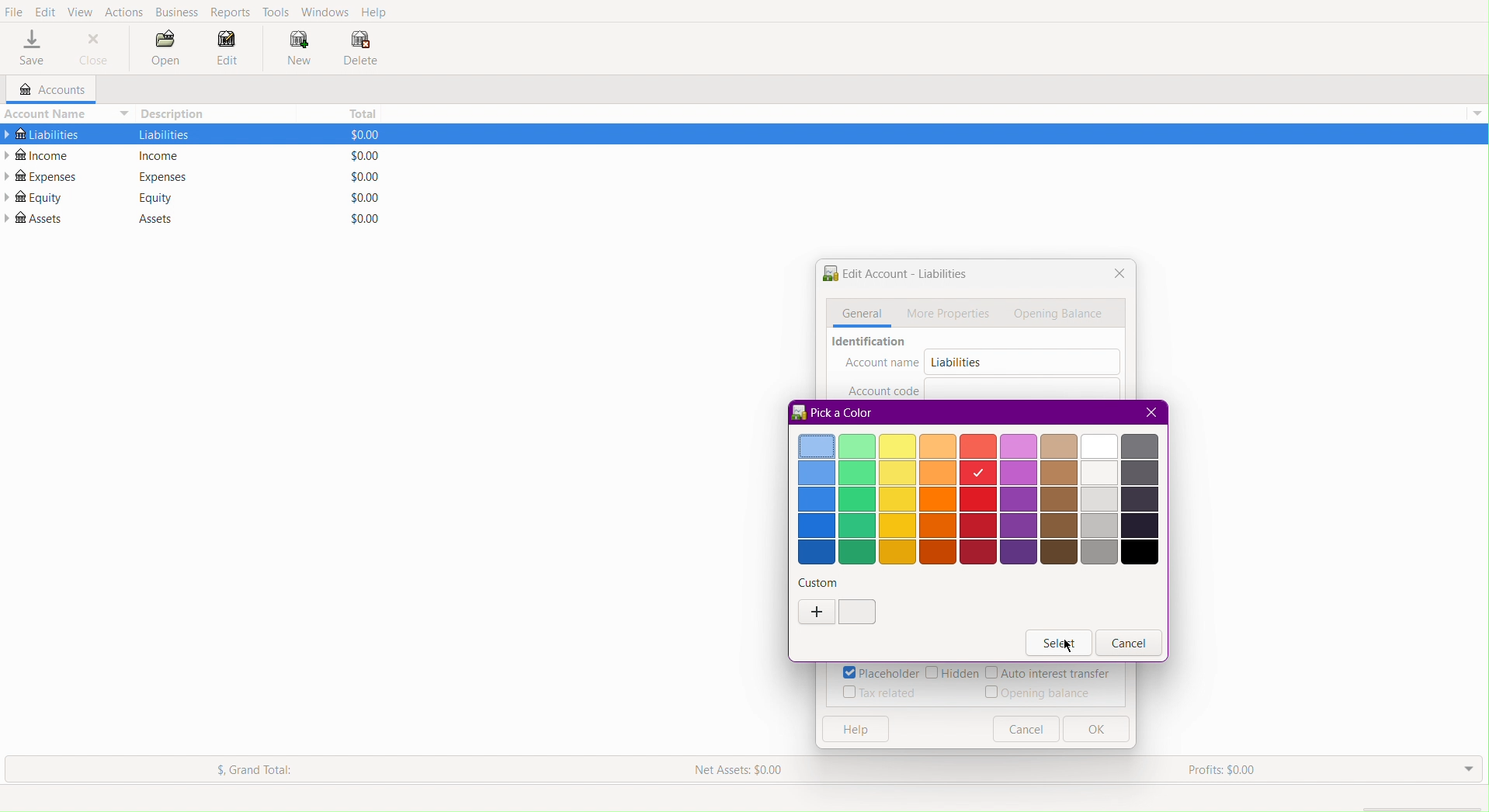 The image size is (1489, 812). I want to click on $0.00, so click(359, 177).